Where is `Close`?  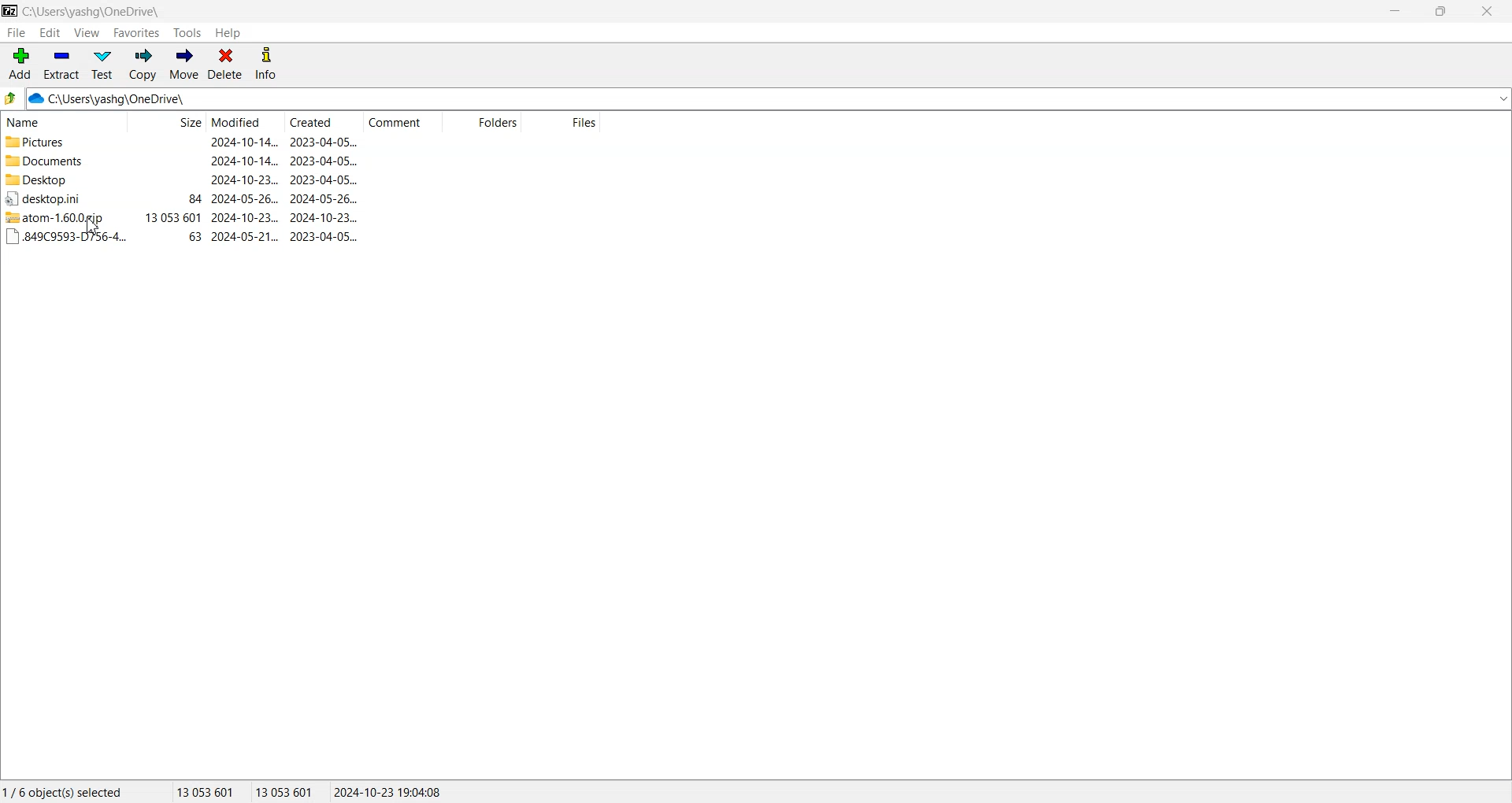 Close is located at coordinates (1485, 11).